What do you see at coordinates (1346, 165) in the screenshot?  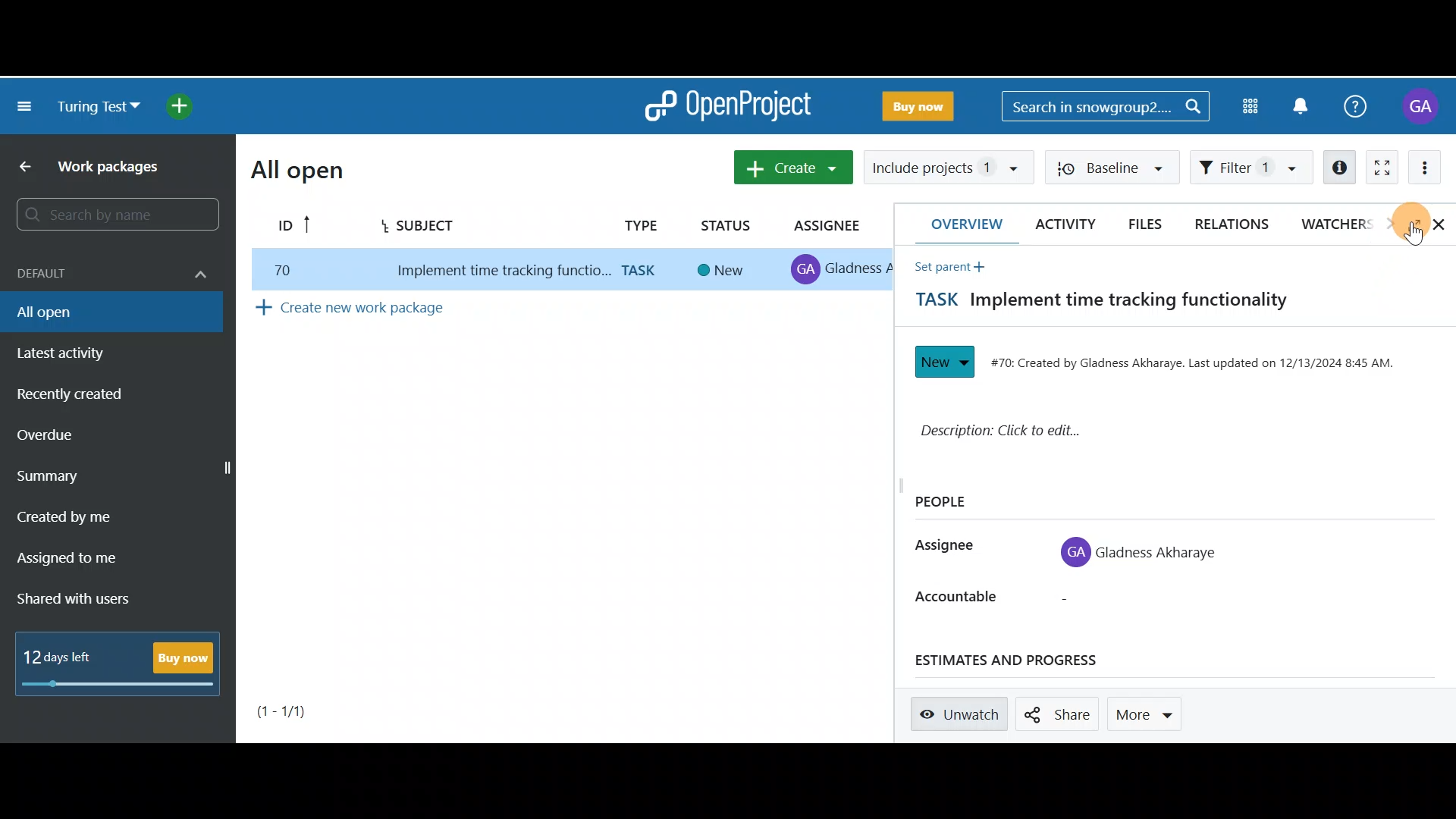 I see `Open details view` at bounding box center [1346, 165].